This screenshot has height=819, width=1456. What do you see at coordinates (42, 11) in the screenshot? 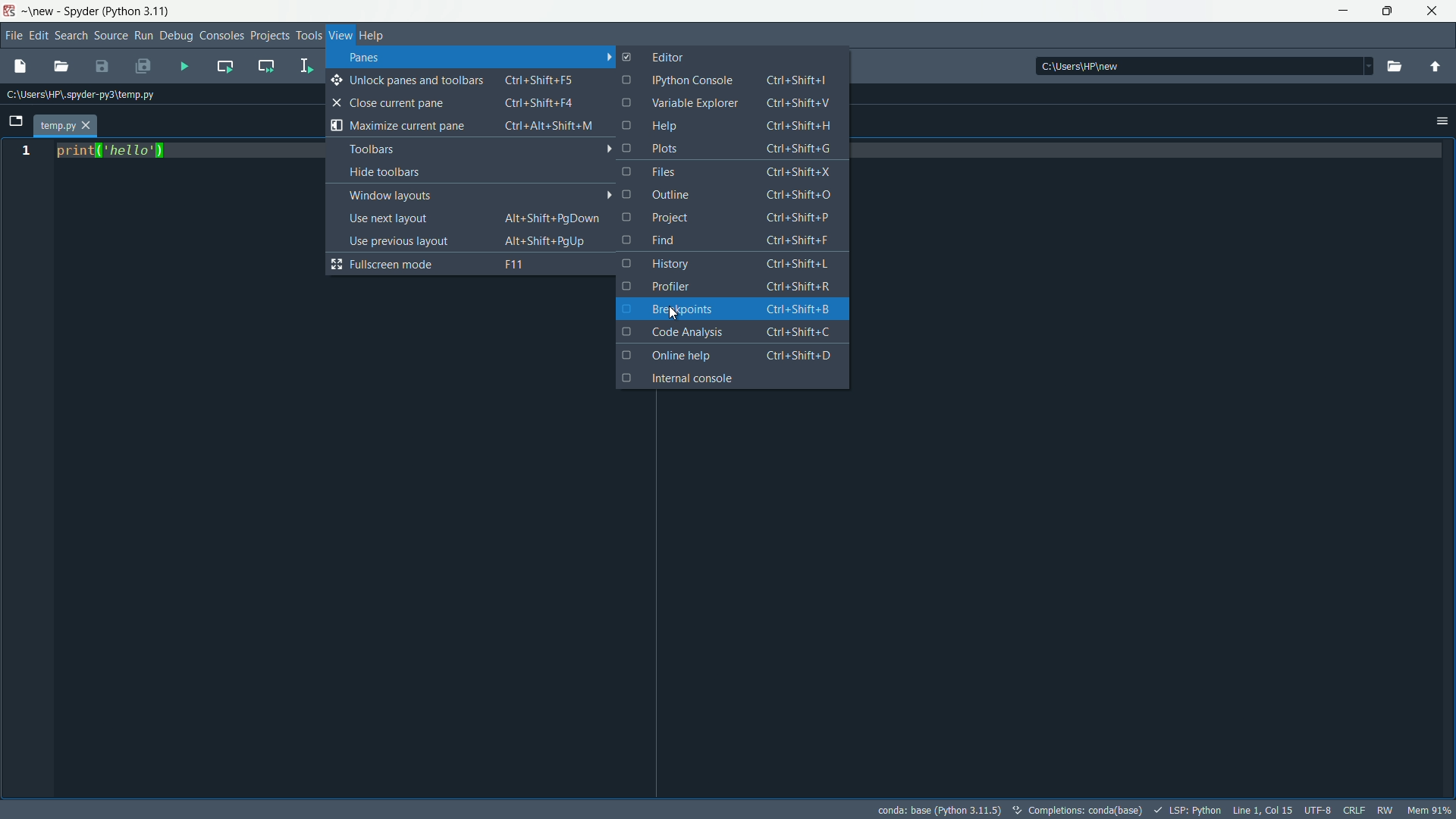
I see `new` at bounding box center [42, 11].